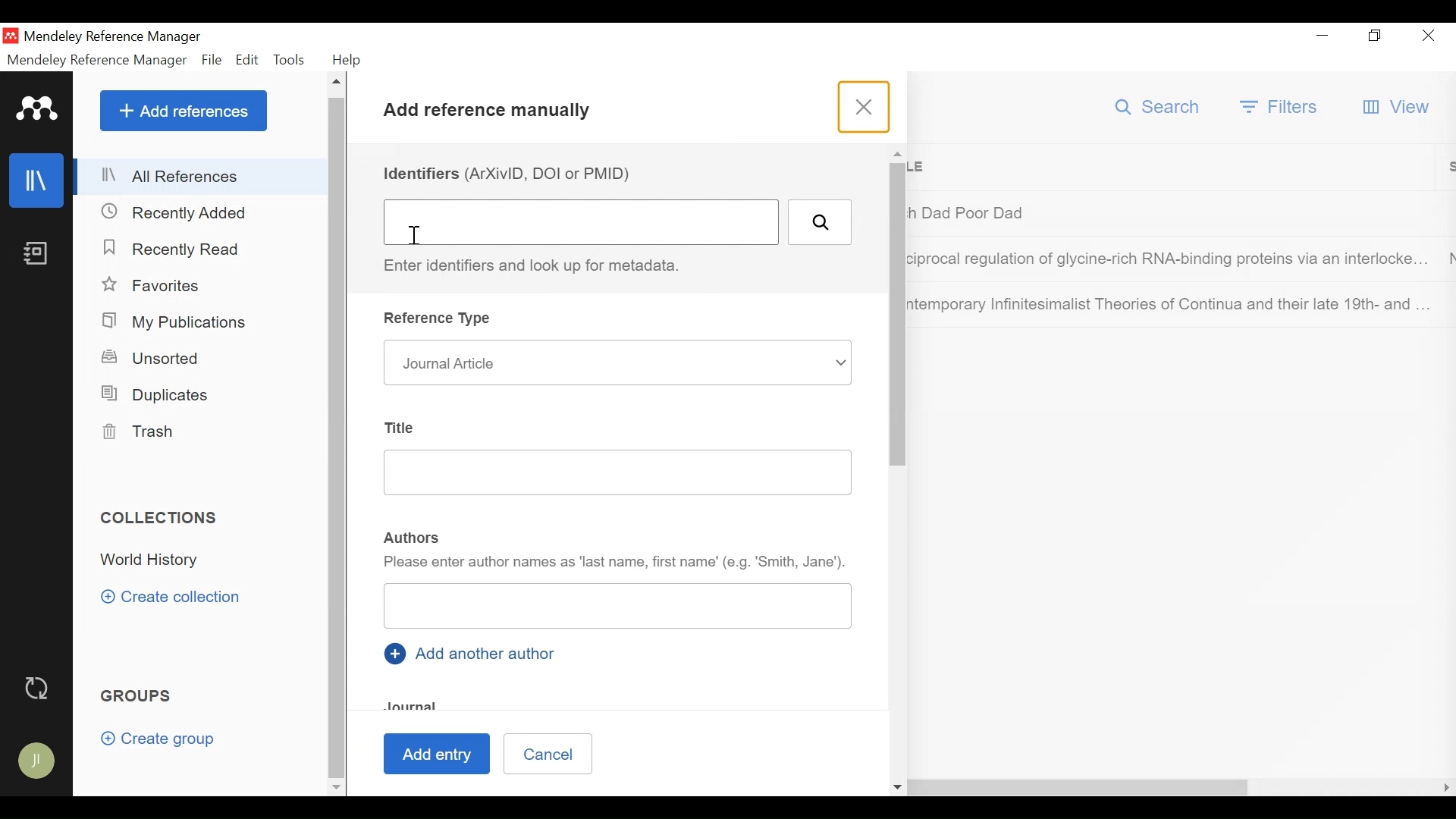  What do you see at coordinates (176, 251) in the screenshot?
I see `Recently Closed` at bounding box center [176, 251].